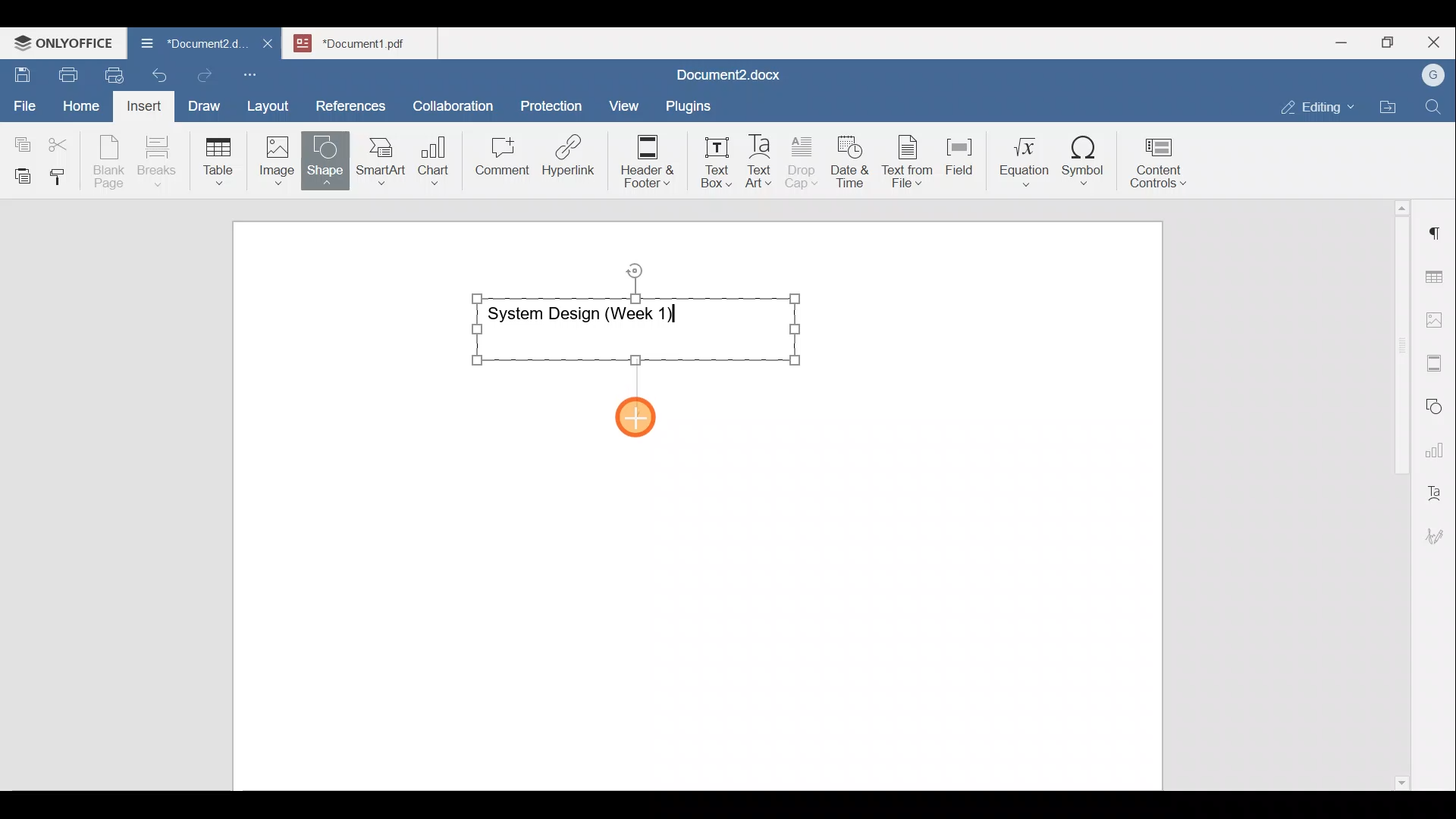 This screenshot has height=819, width=1456. Describe the element at coordinates (910, 160) in the screenshot. I see `Text from file` at that location.